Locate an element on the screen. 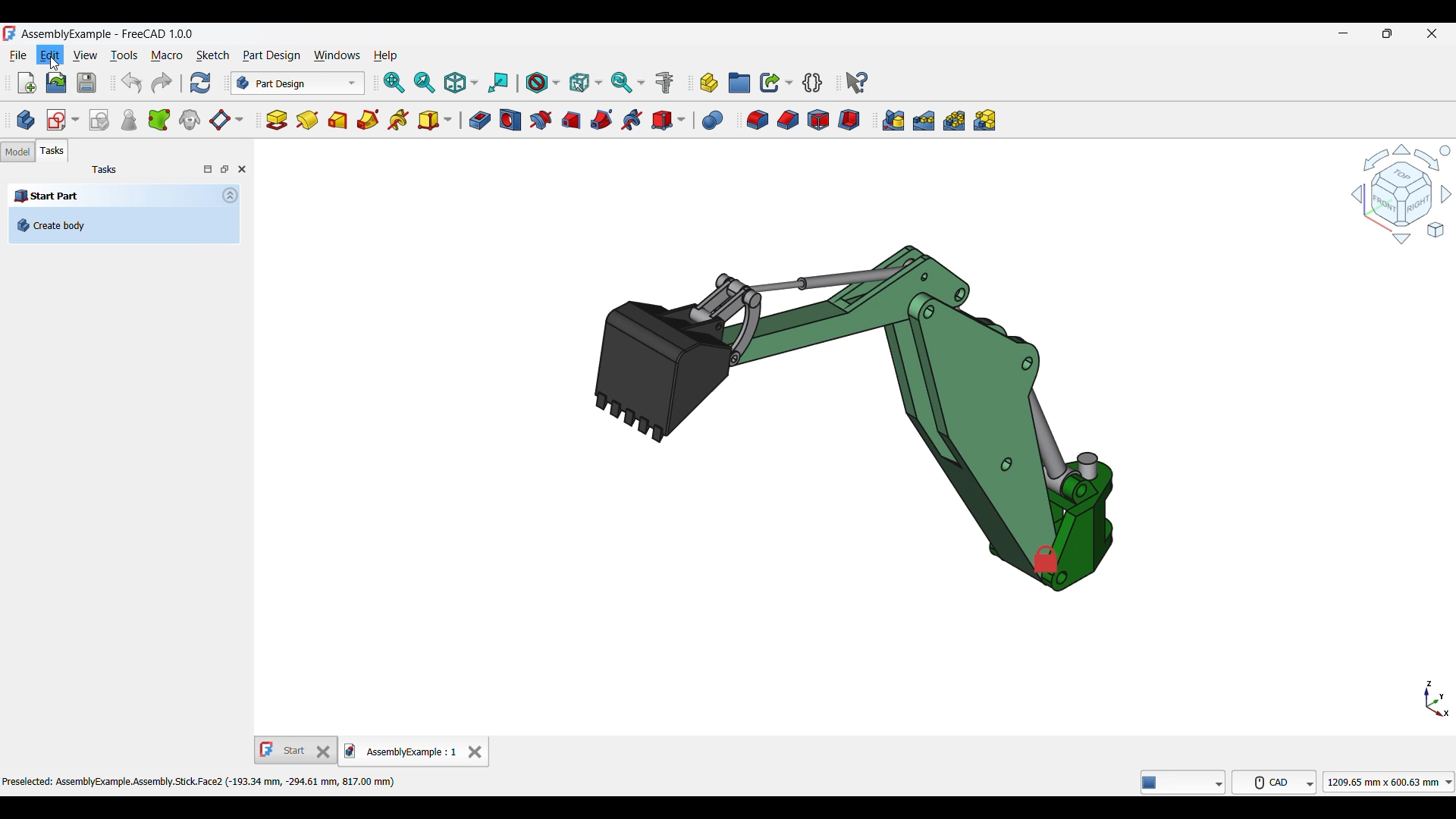 Image resolution: width=1456 pixels, height=819 pixels. Sync view options is located at coordinates (628, 83).